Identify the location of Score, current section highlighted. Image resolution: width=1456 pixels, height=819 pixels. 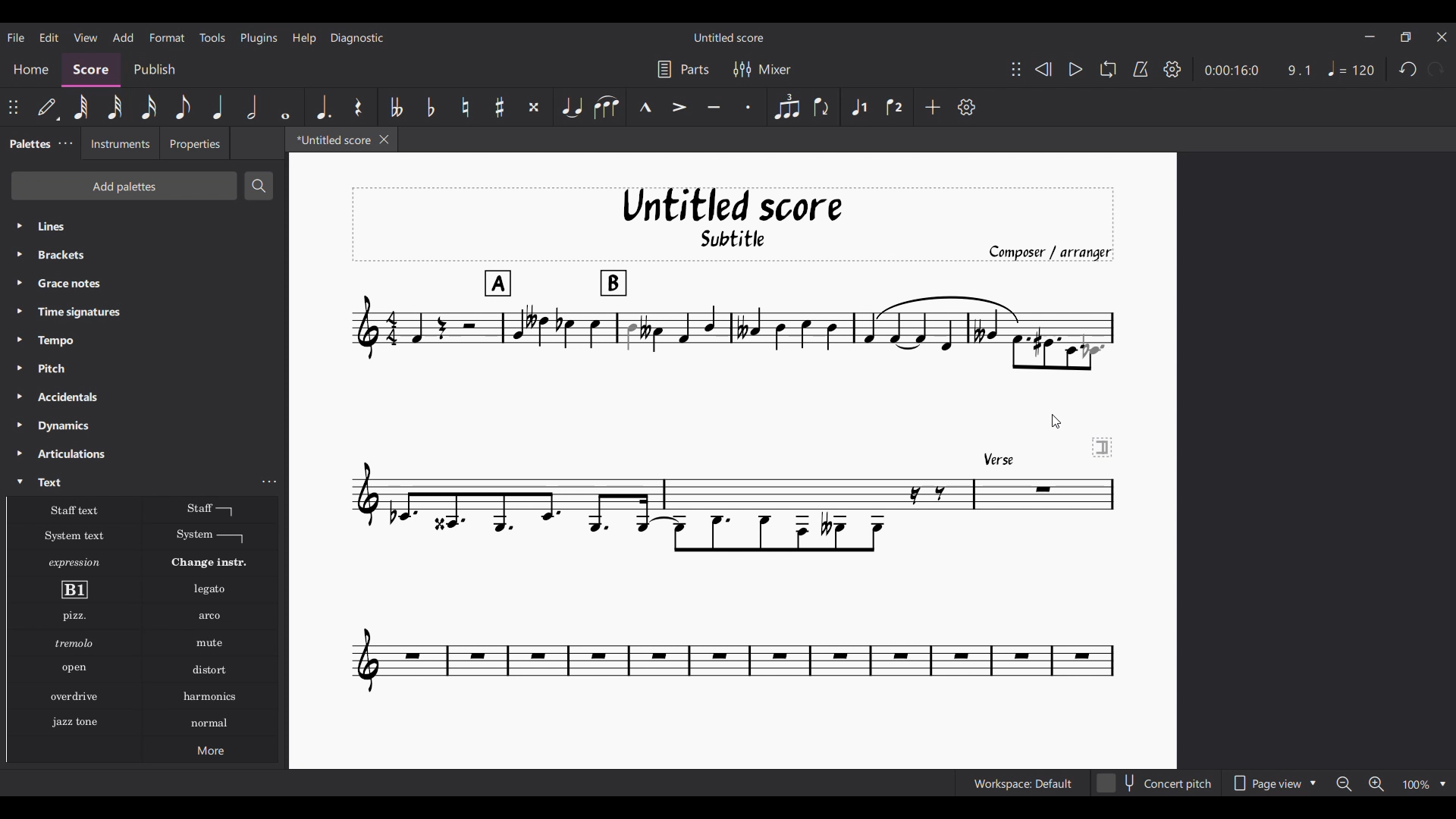
(91, 70).